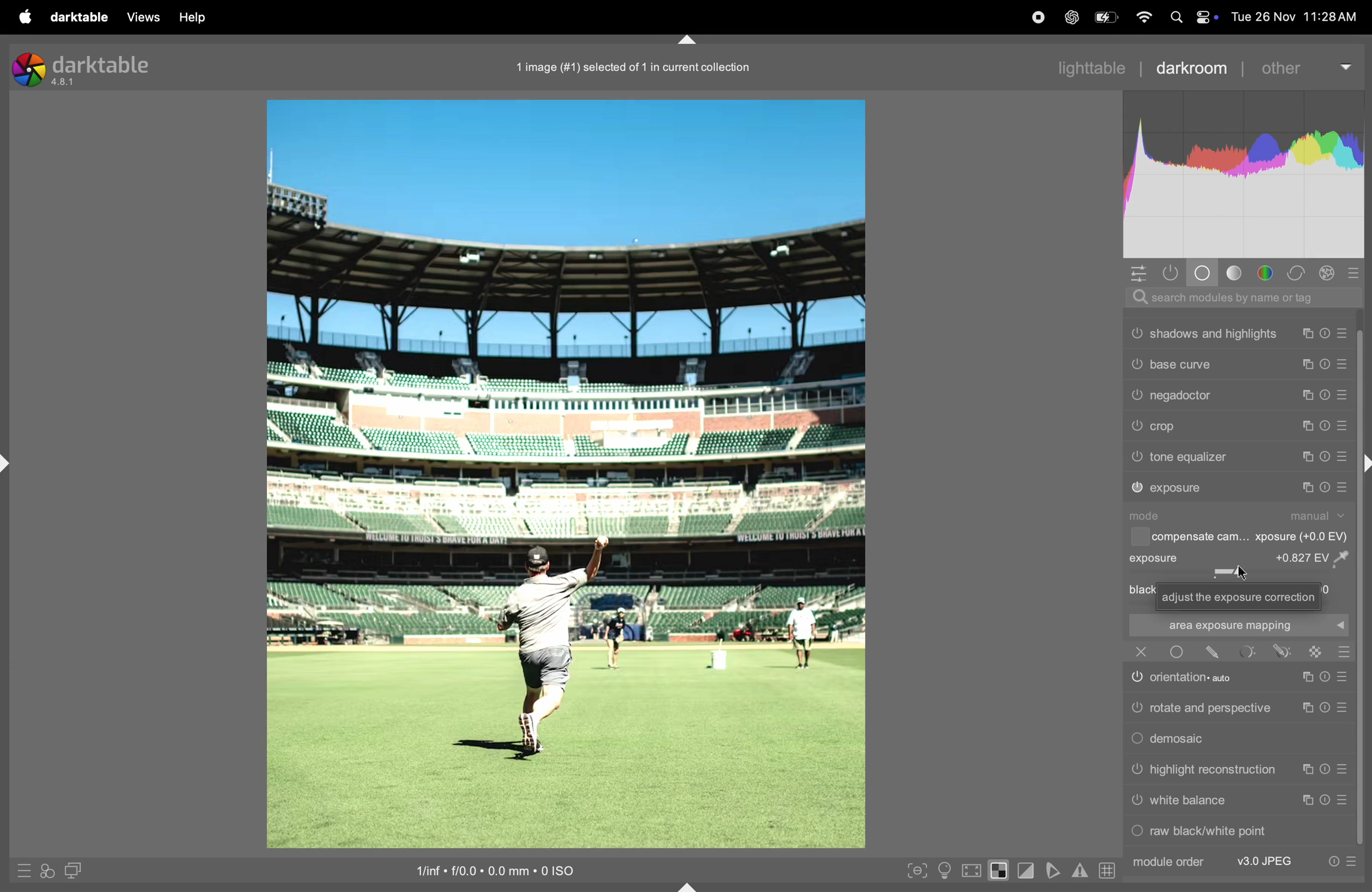 The width and height of the screenshot is (1372, 892). What do you see at coordinates (1145, 18) in the screenshot?
I see `wifi` at bounding box center [1145, 18].